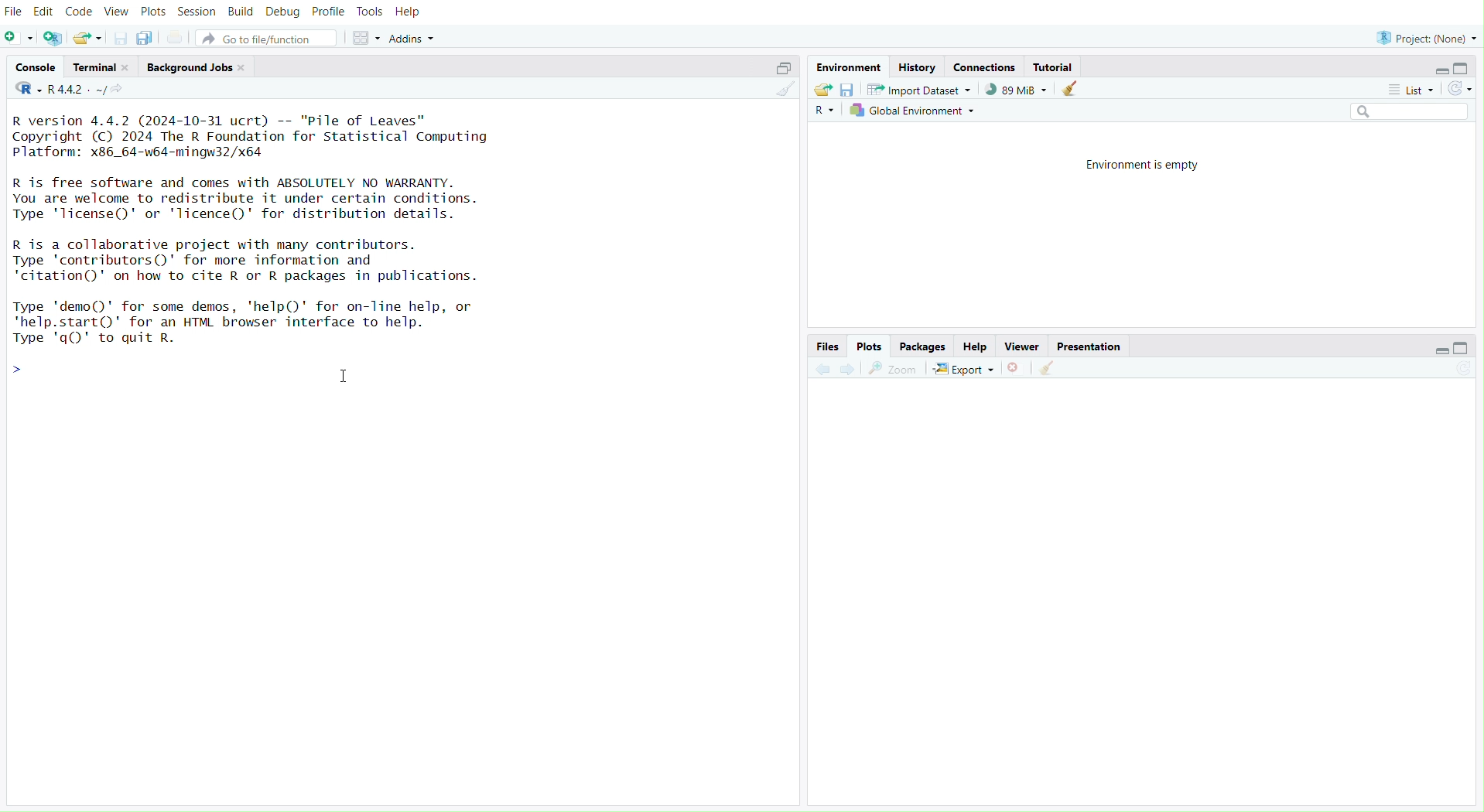 The height and width of the screenshot is (812, 1484). What do you see at coordinates (1018, 89) in the screenshot?
I see `89kib used by R session (Source: Windows System)` at bounding box center [1018, 89].